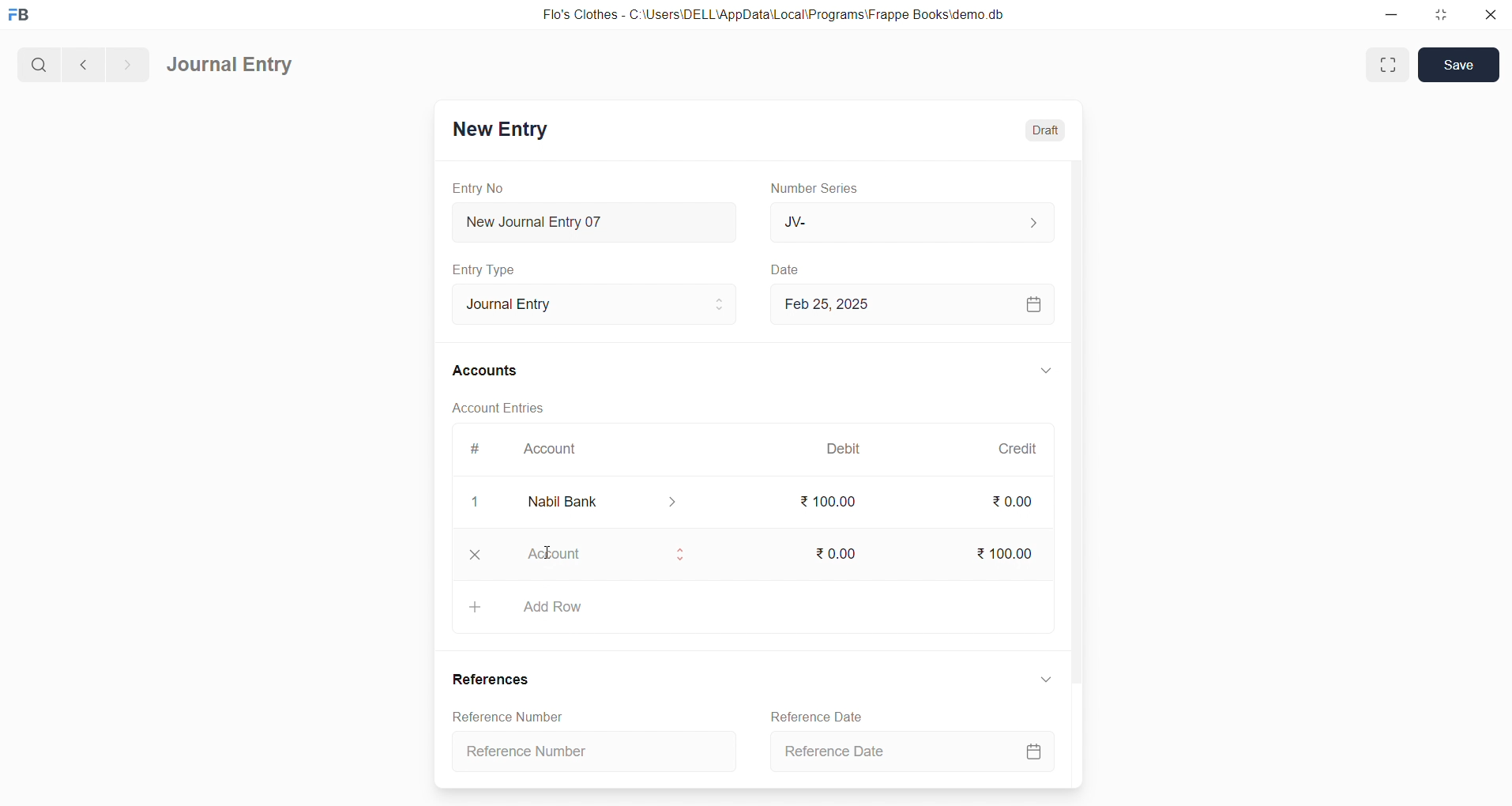  I want to click on maximize window, so click(1390, 65).